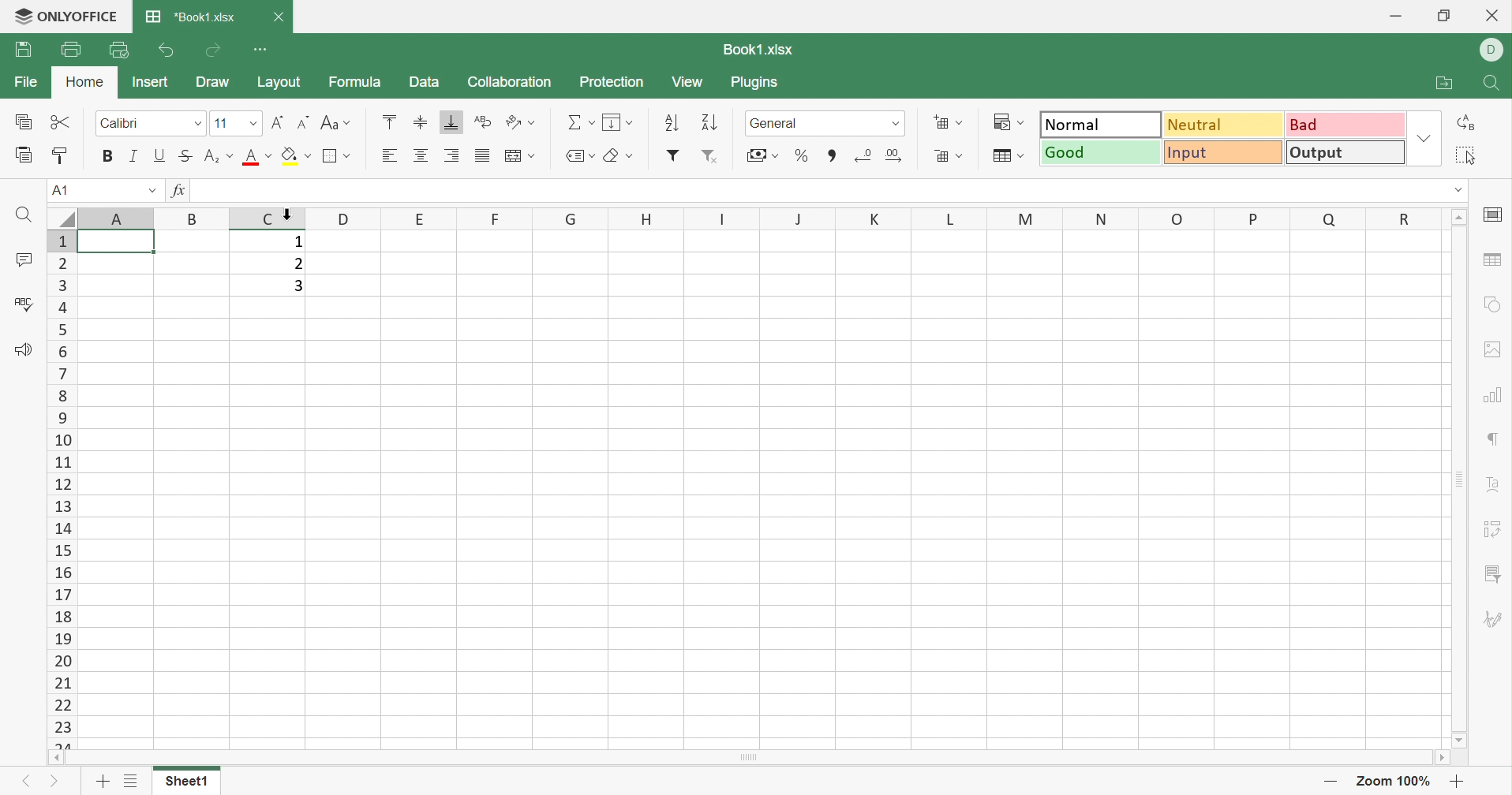 The image size is (1512, 795). Describe the element at coordinates (1443, 13) in the screenshot. I see `Restore Down` at that location.